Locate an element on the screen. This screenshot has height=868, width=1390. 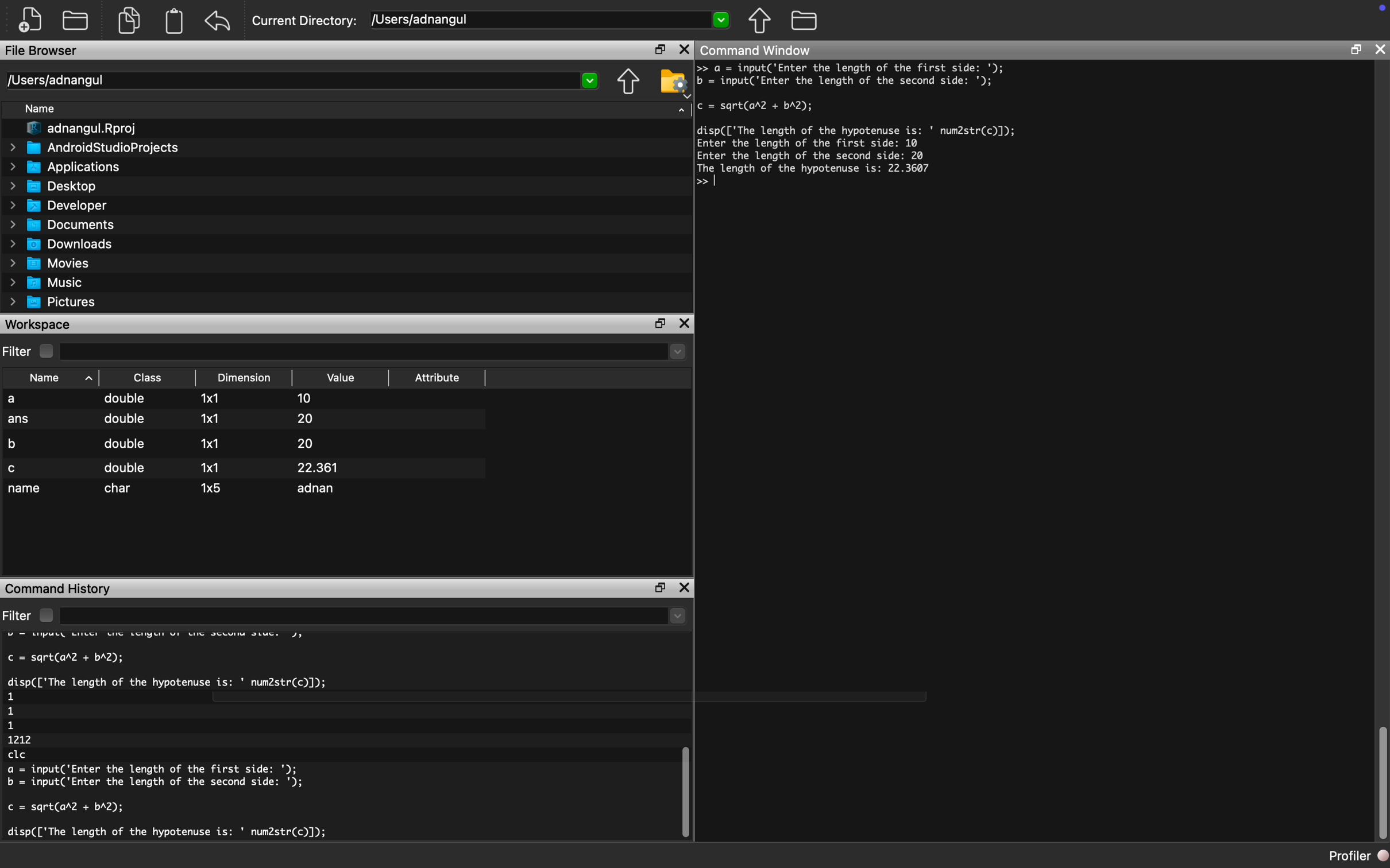
File Browser is located at coordinates (43, 52).